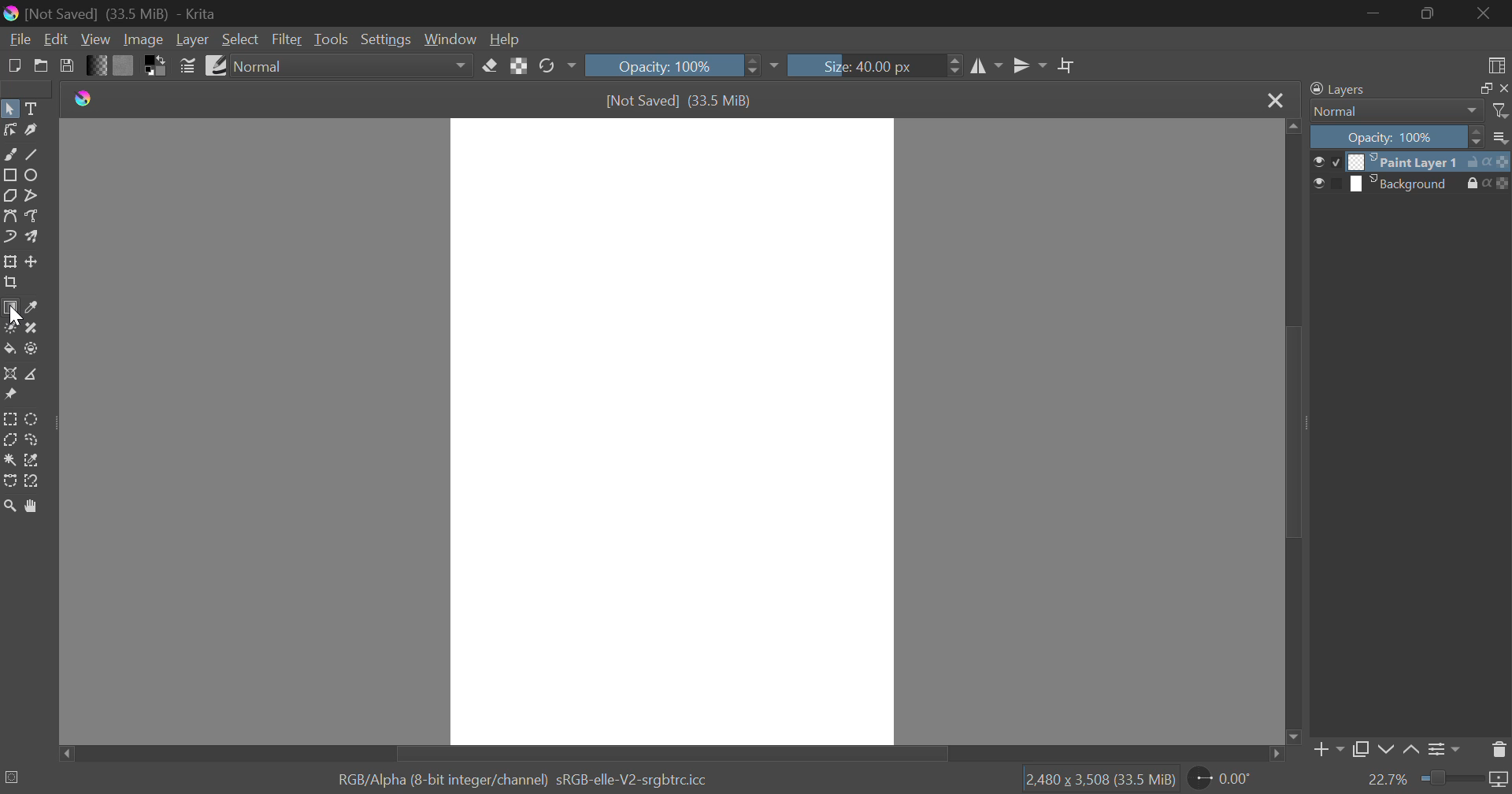 This screenshot has height=794, width=1512. I want to click on Opacity 100%, so click(1395, 137).